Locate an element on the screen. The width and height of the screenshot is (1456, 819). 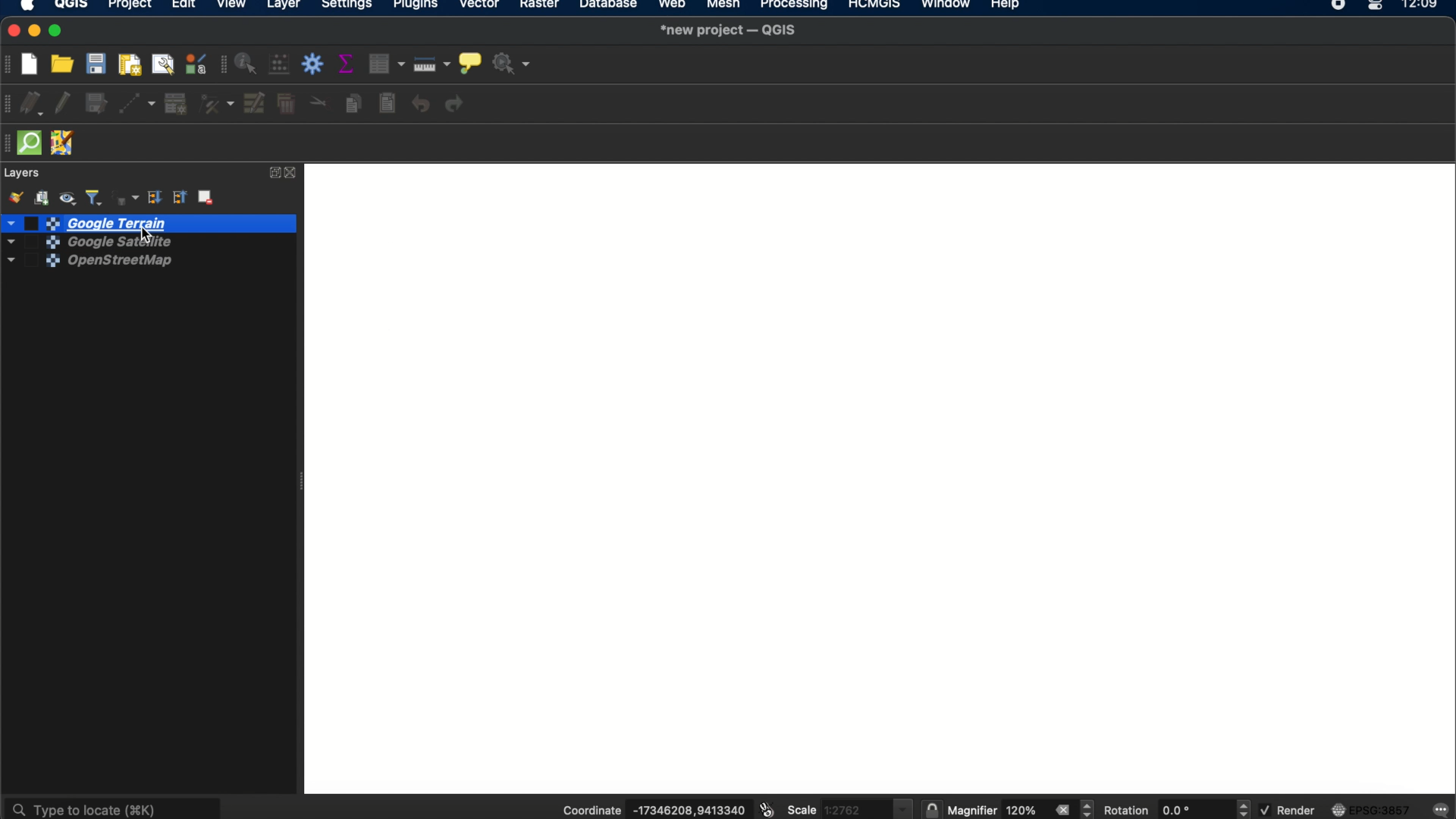
project is located at coordinates (129, 6).